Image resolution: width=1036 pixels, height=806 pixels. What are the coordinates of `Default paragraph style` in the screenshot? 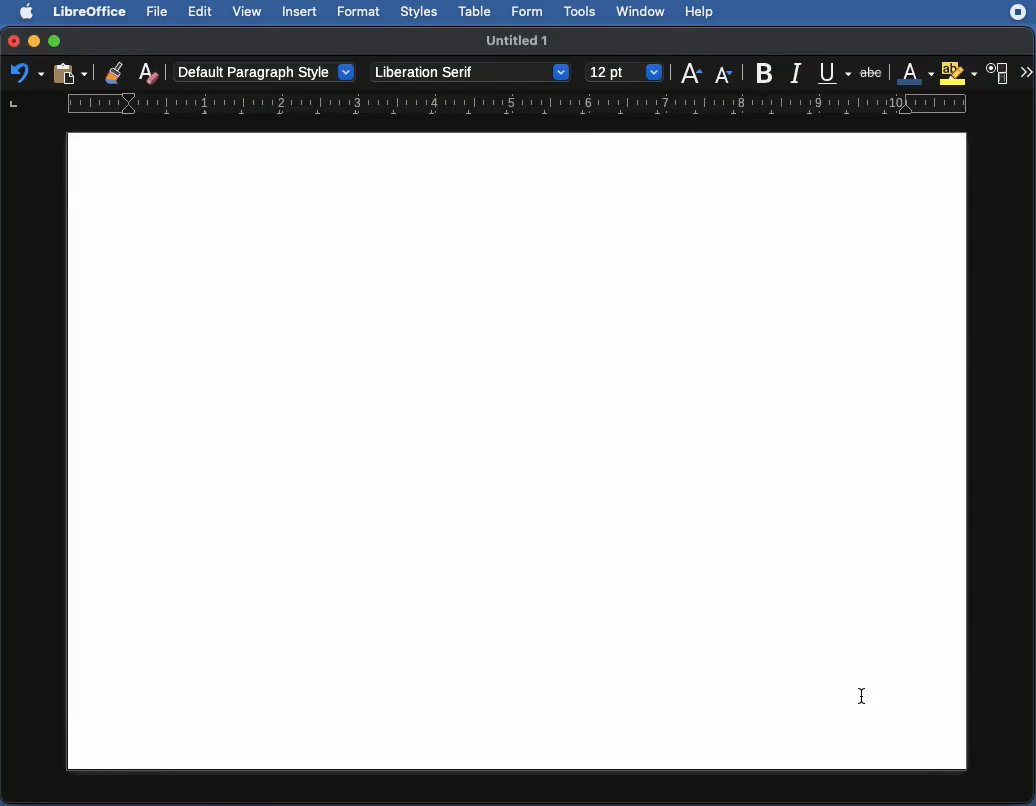 It's located at (271, 74).